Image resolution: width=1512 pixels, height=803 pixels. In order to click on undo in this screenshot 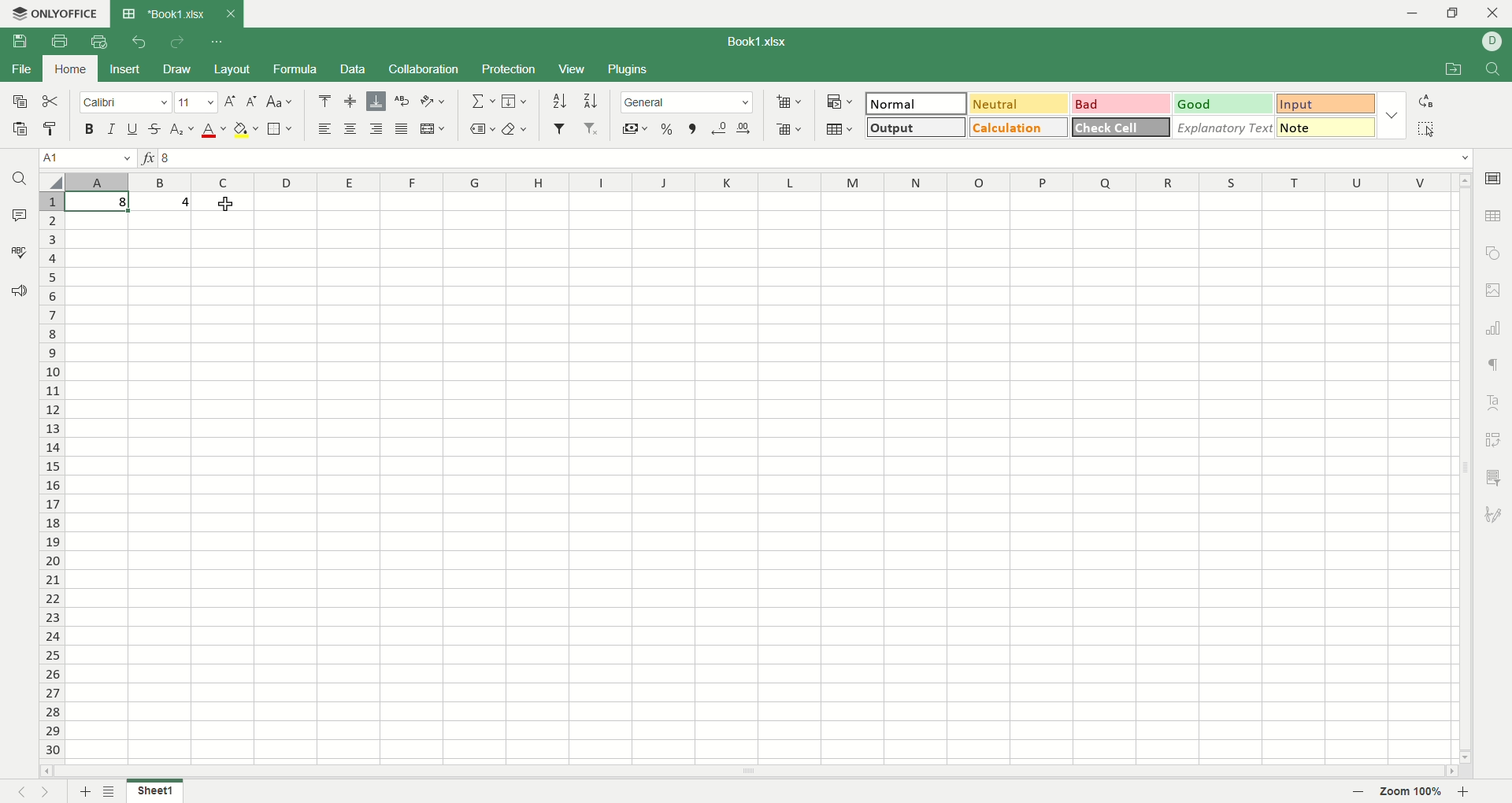, I will do `click(139, 39)`.